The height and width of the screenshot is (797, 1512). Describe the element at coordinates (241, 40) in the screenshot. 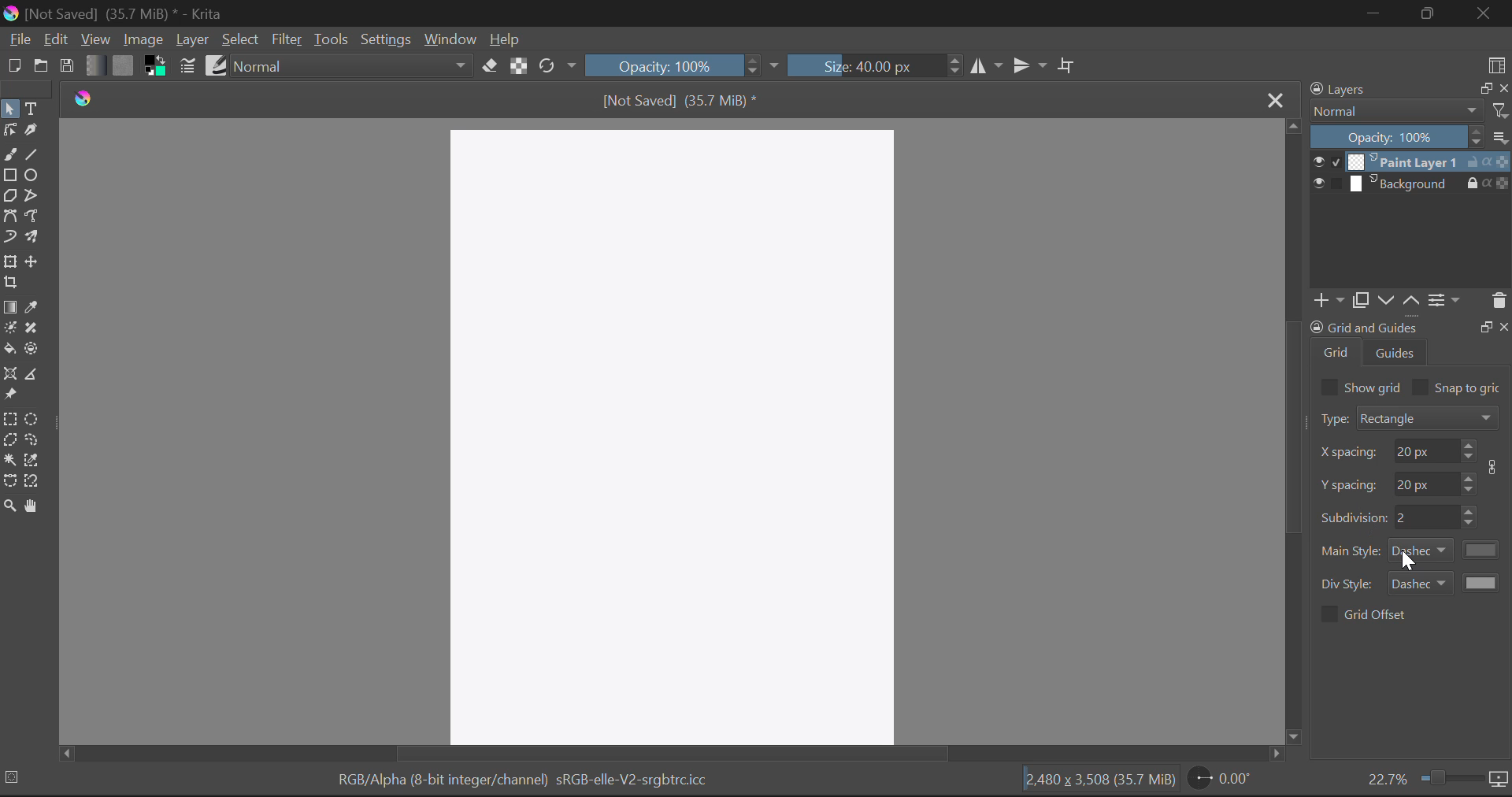

I see `Select` at that location.